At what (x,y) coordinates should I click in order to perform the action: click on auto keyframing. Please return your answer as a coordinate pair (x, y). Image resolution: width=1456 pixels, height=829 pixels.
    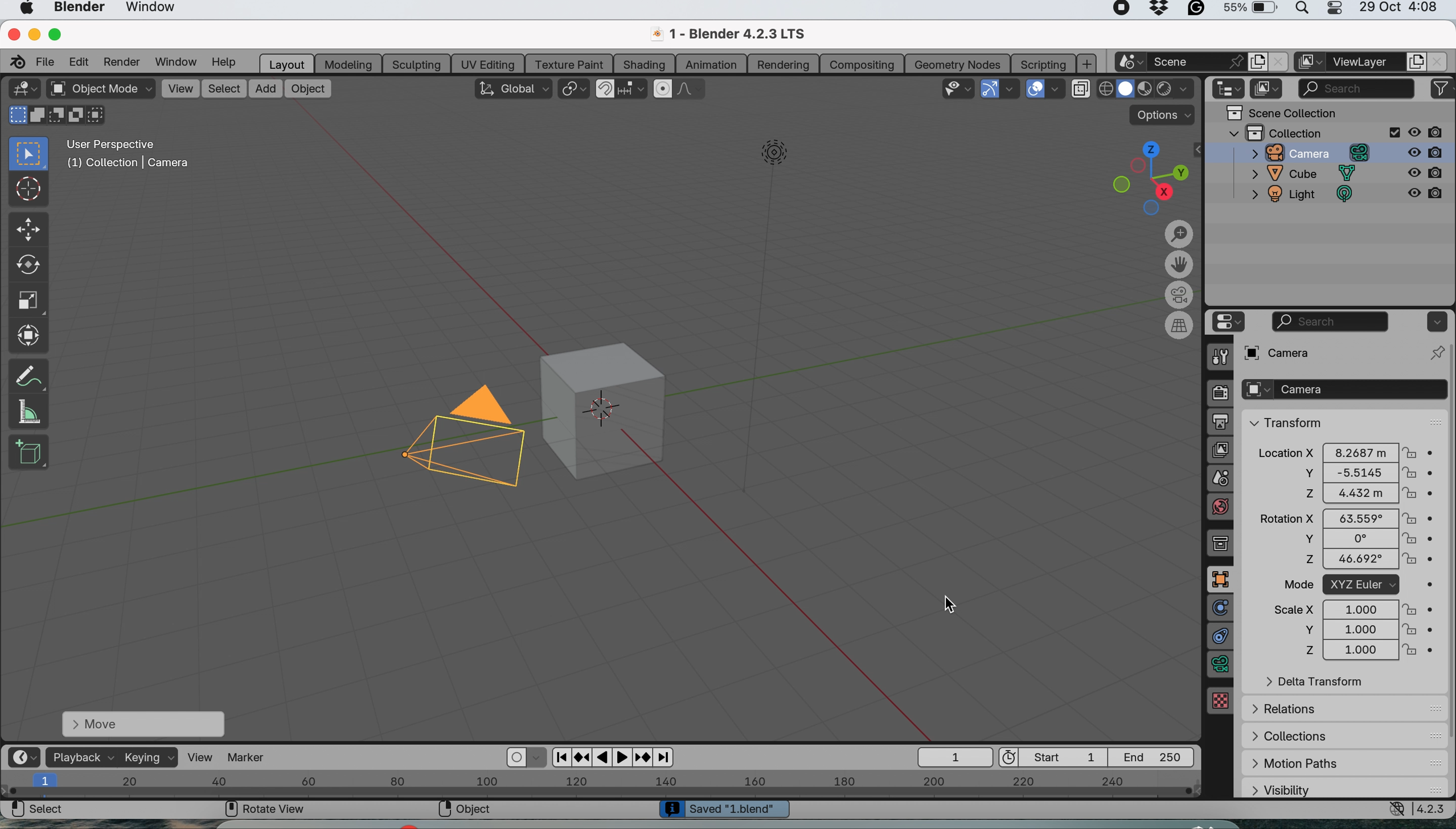
    Looking at the image, I should click on (539, 758).